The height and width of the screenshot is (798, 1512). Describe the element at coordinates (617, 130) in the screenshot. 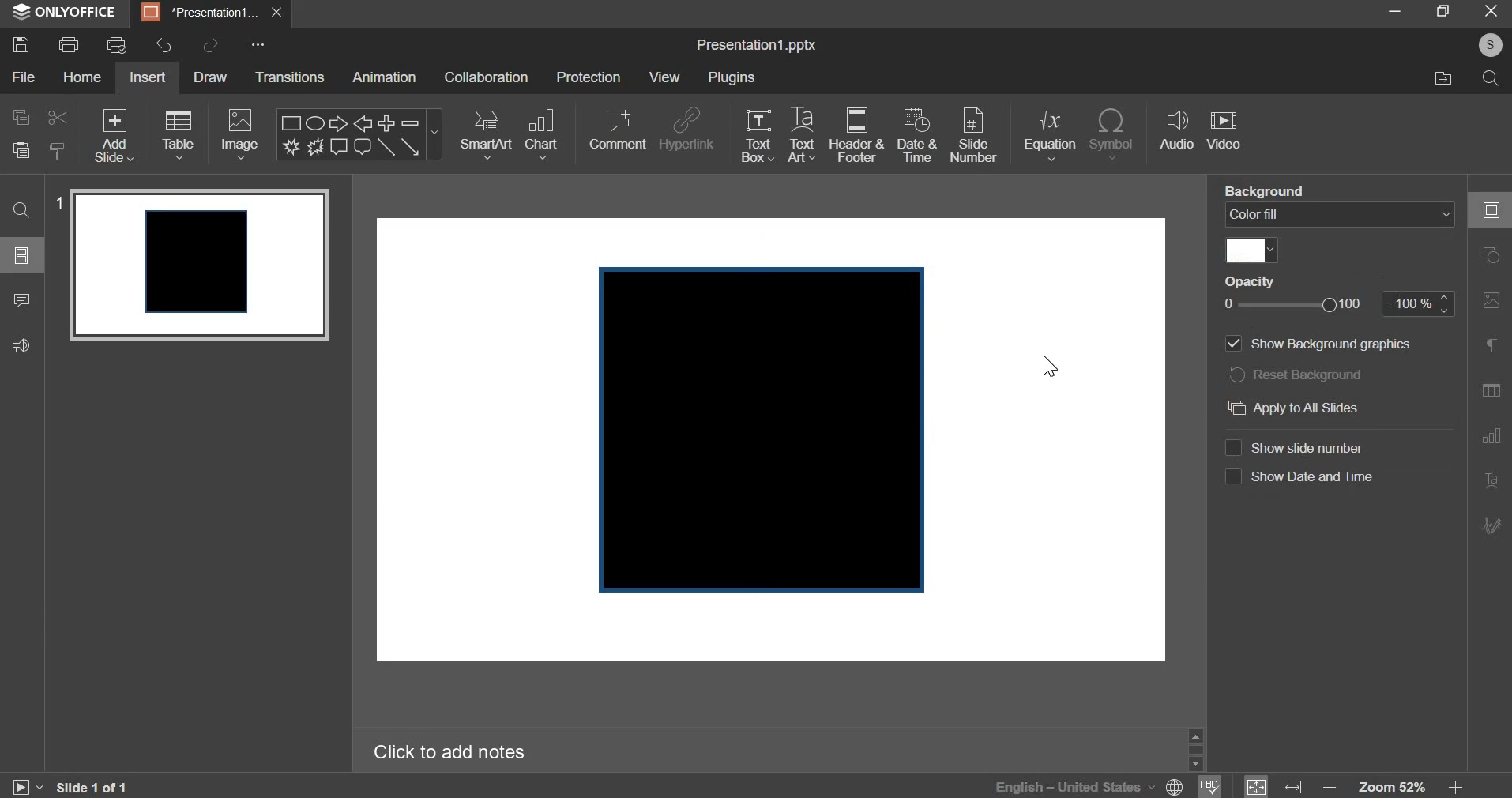

I see `comment` at that location.